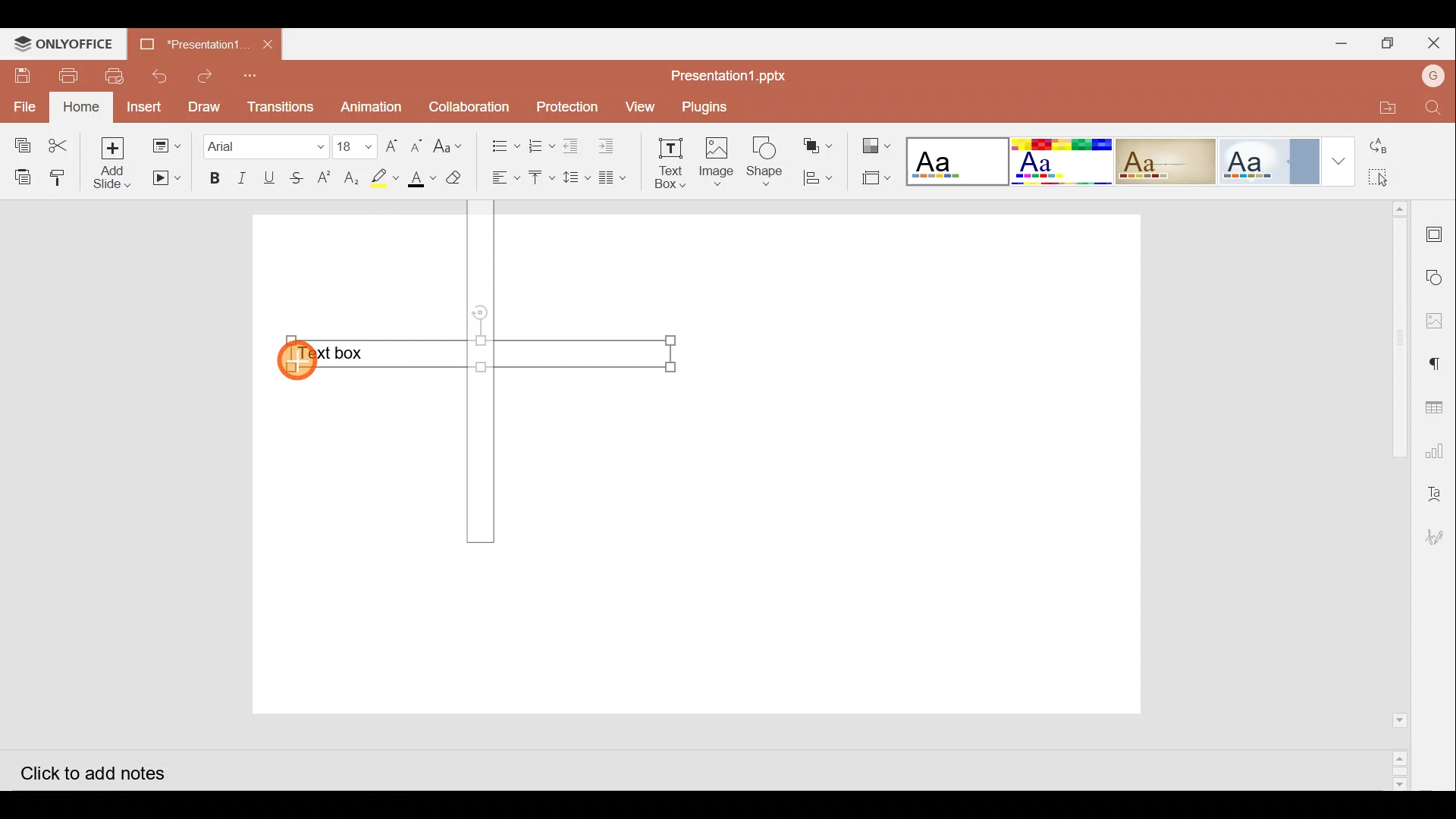 The height and width of the screenshot is (819, 1456). What do you see at coordinates (394, 144) in the screenshot?
I see `Increase font size` at bounding box center [394, 144].